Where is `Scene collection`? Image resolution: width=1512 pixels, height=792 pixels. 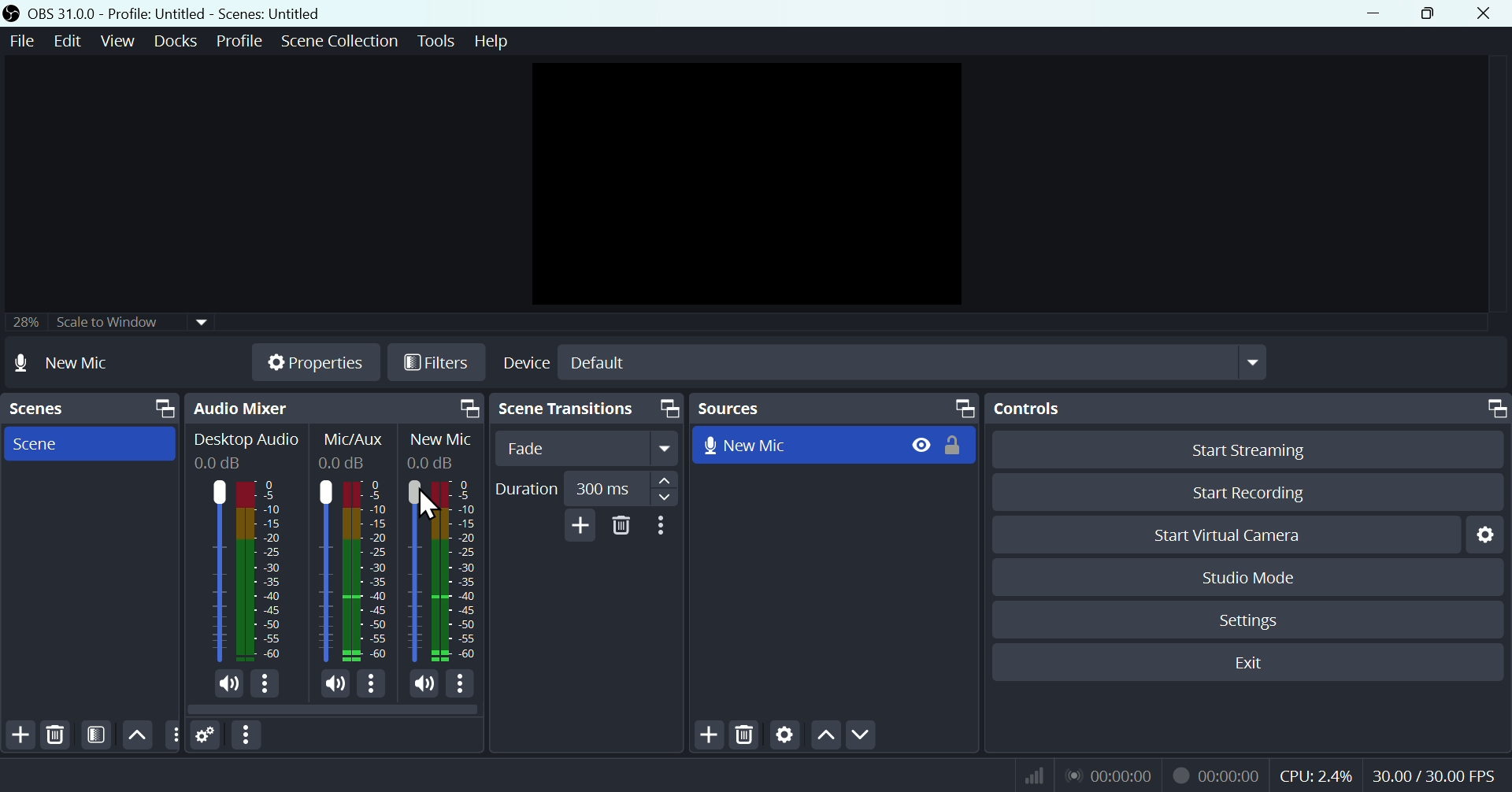 Scene collection is located at coordinates (343, 43).